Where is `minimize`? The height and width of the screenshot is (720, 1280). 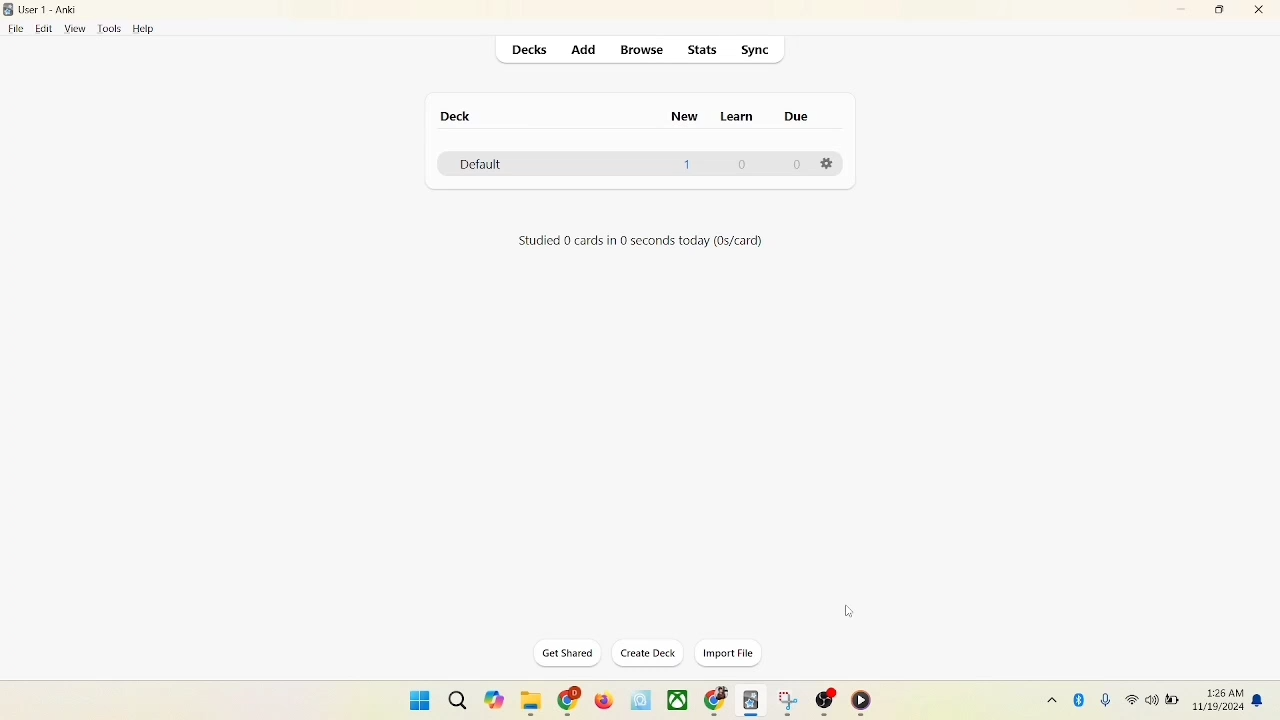
minimize is located at coordinates (1183, 11).